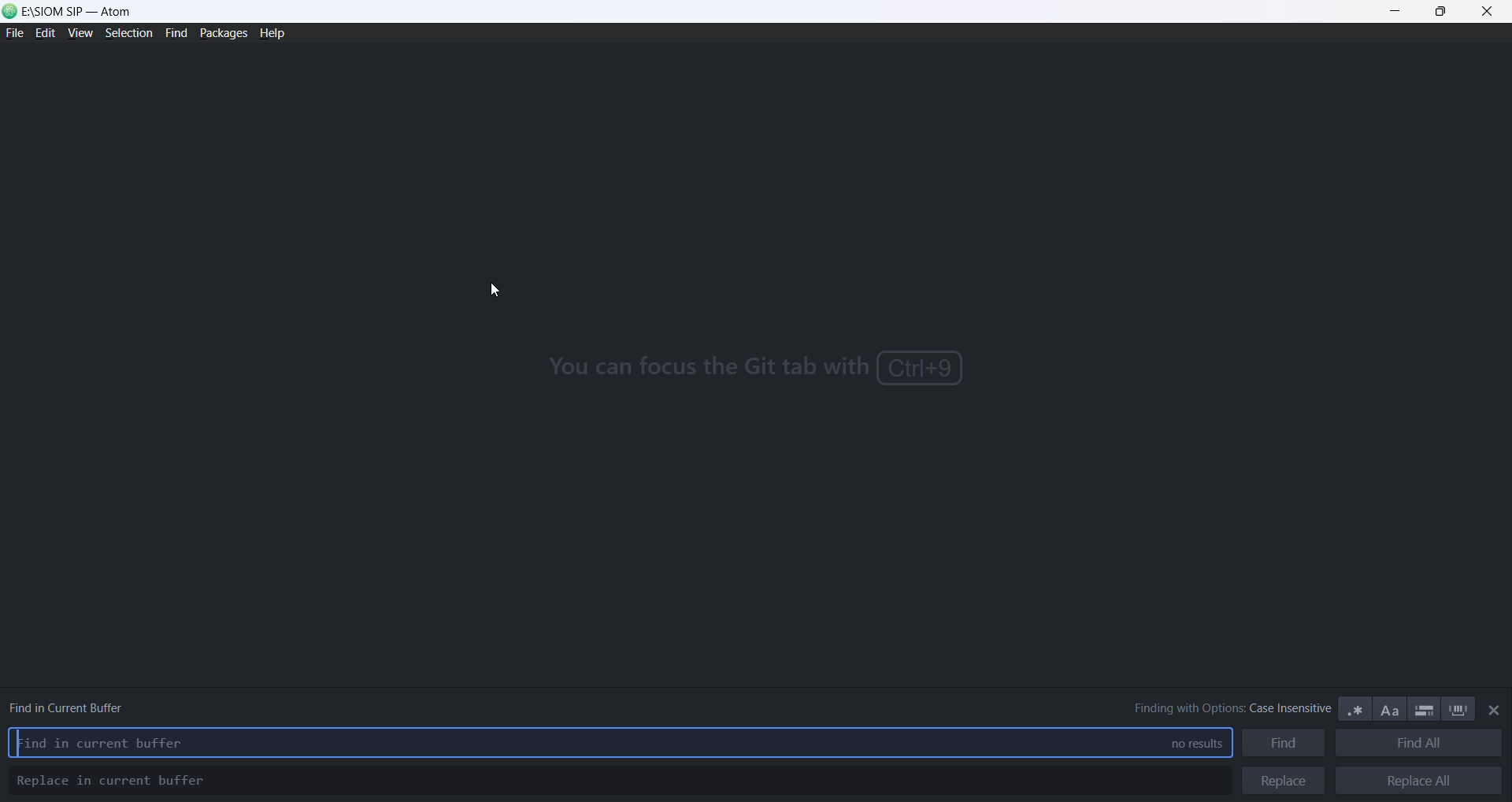  What do you see at coordinates (1495, 711) in the screenshot?
I see `close panel` at bounding box center [1495, 711].